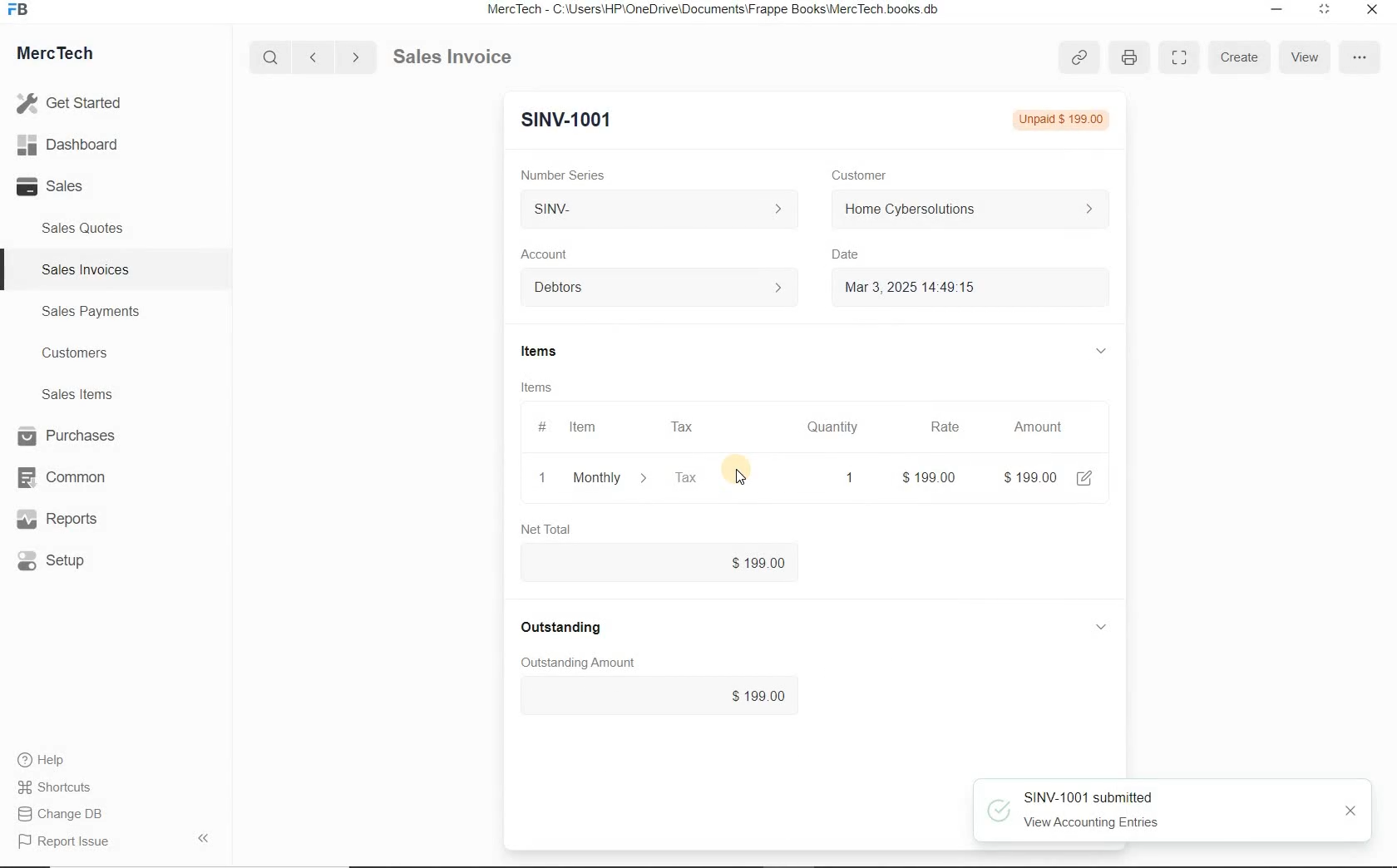 The width and height of the screenshot is (1397, 868). Describe the element at coordinates (548, 254) in the screenshot. I see `Account` at that location.